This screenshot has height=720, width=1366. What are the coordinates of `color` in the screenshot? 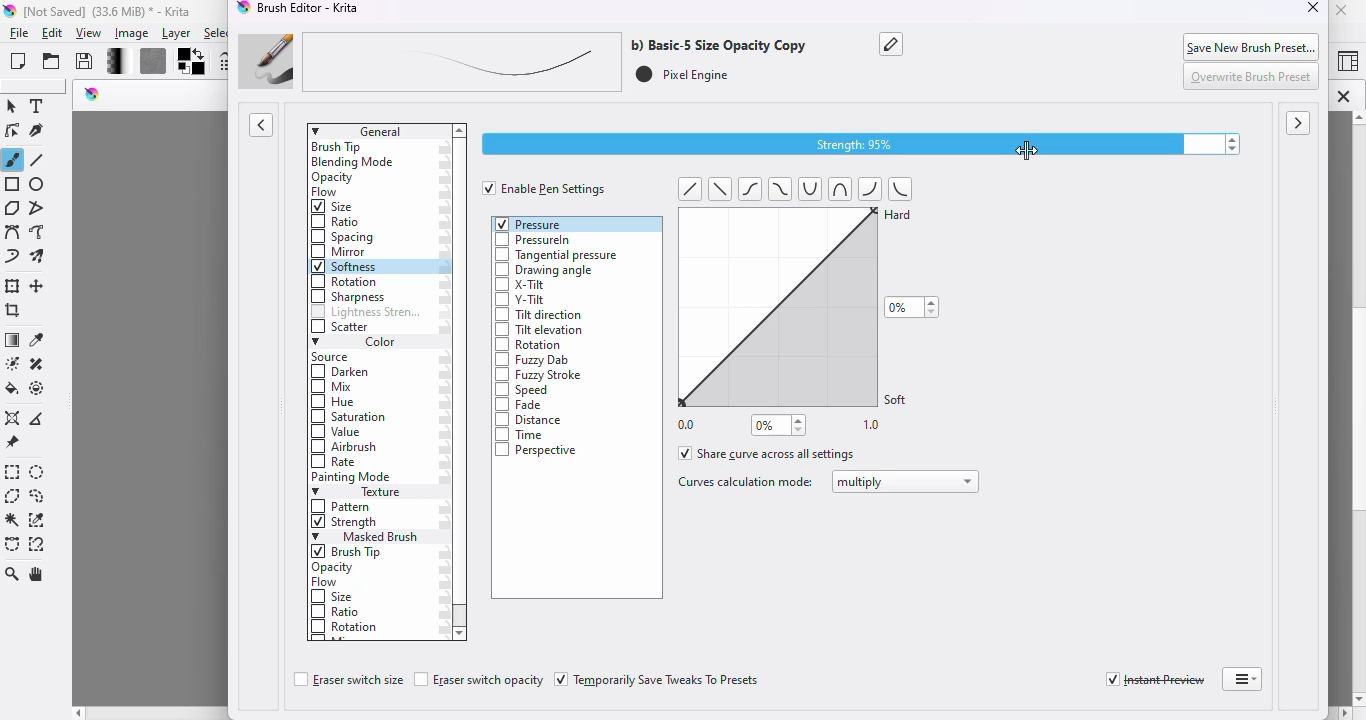 It's located at (355, 343).